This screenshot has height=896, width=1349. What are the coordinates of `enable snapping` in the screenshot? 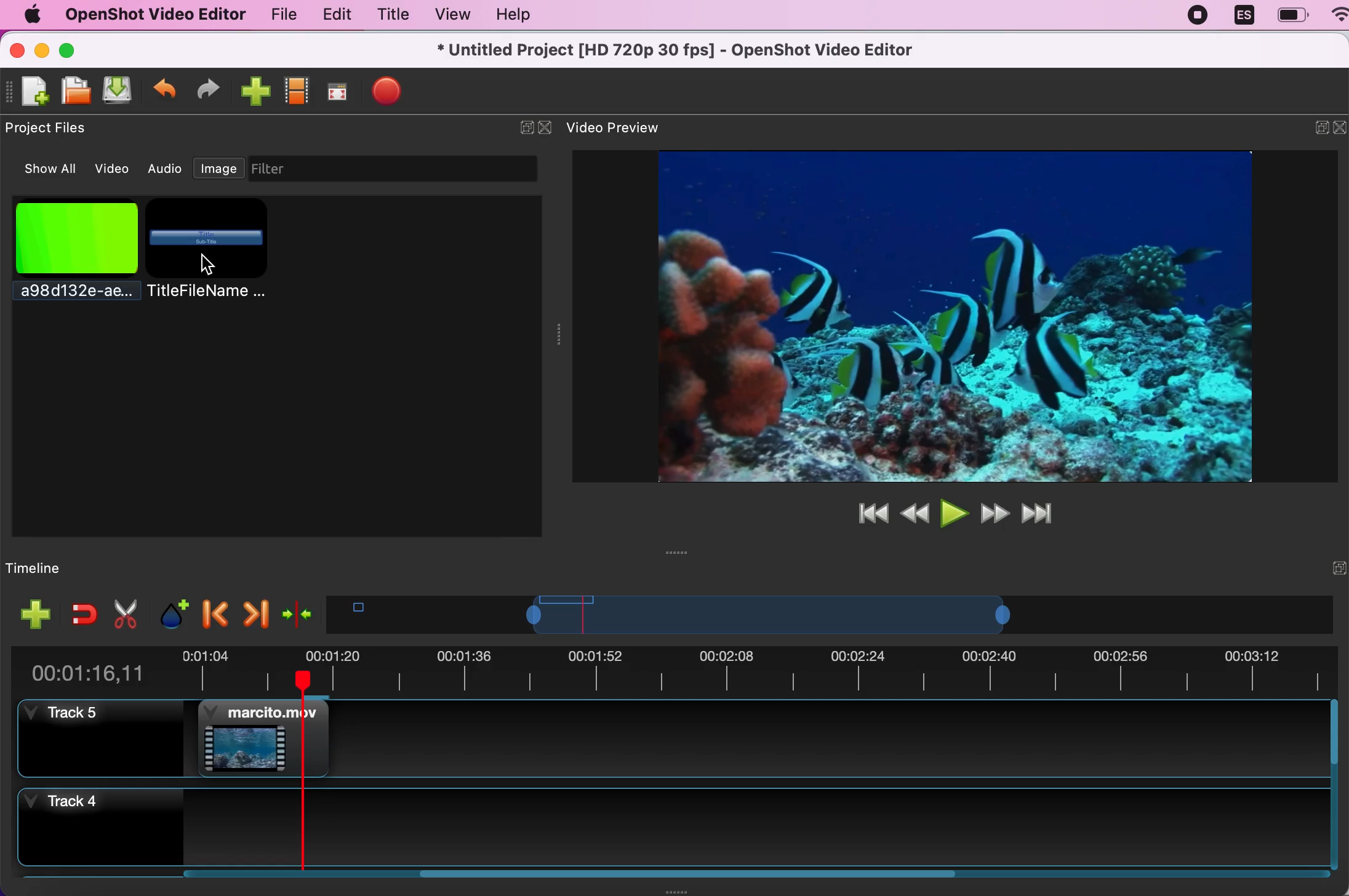 It's located at (79, 614).